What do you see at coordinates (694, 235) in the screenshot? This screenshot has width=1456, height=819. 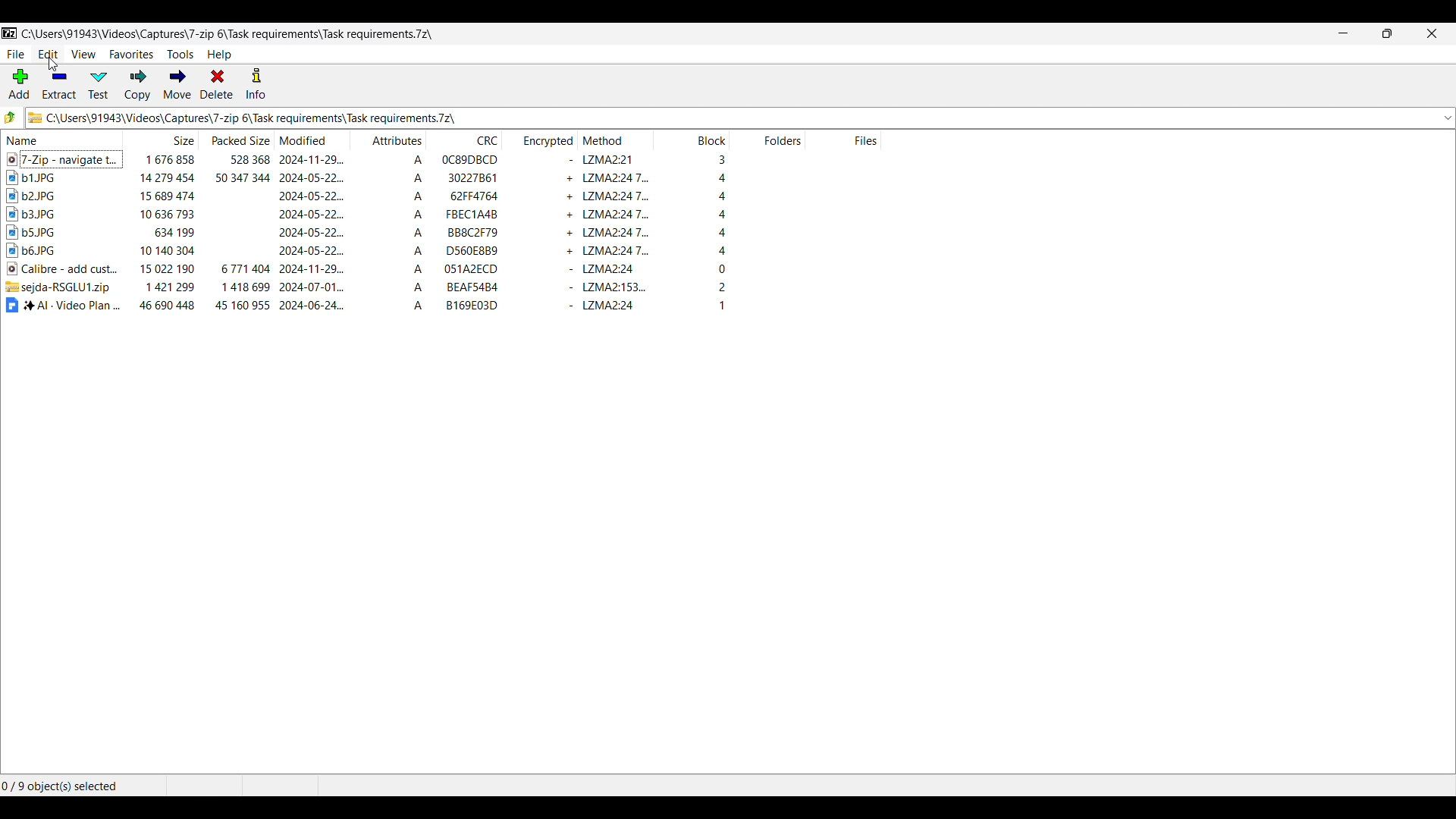 I see `block` at bounding box center [694, 235].